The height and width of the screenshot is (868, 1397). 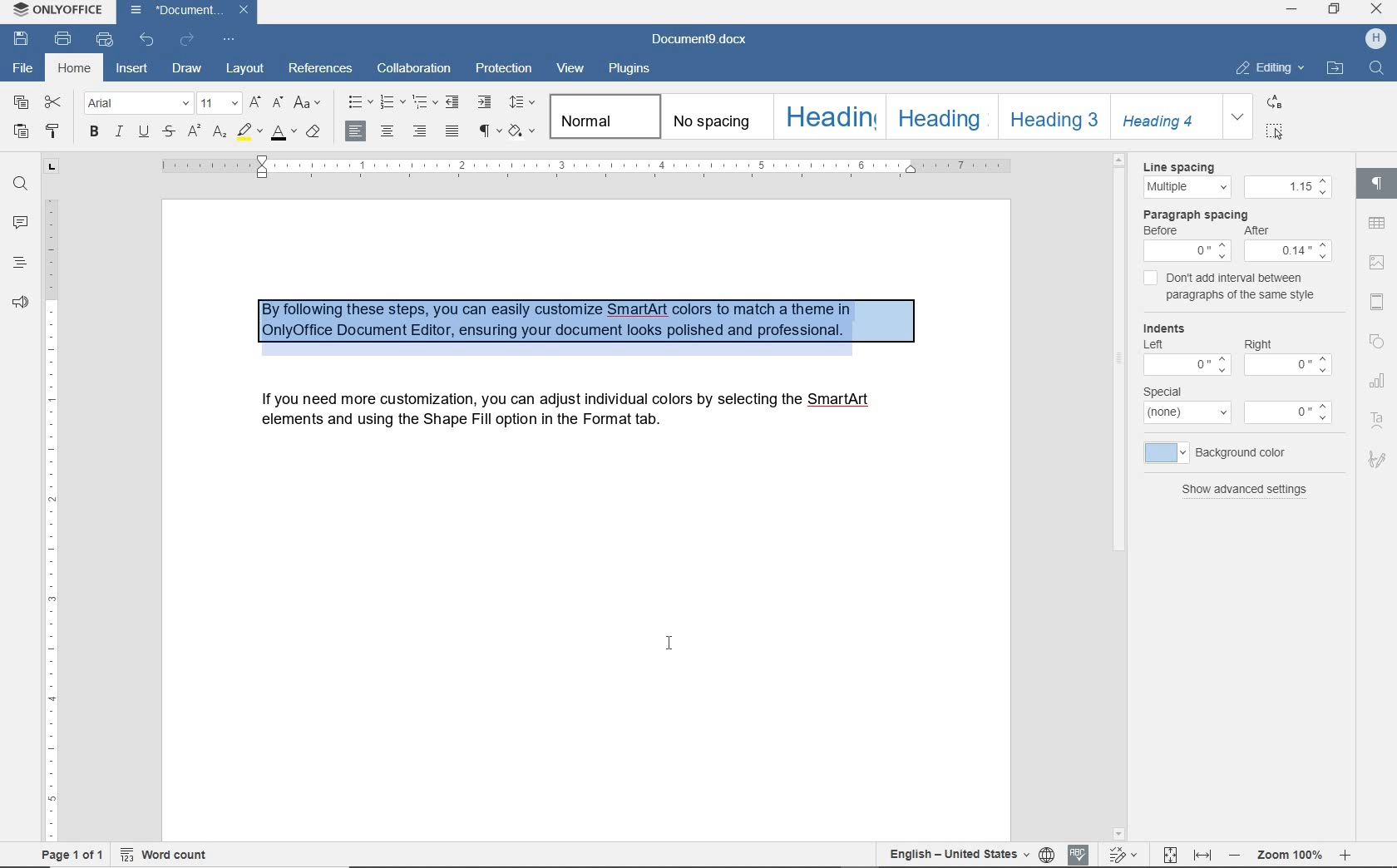 What do you see at coordinates (388, 100) in the screenshot?
I see `numbering` at bounding box center [388, 100].